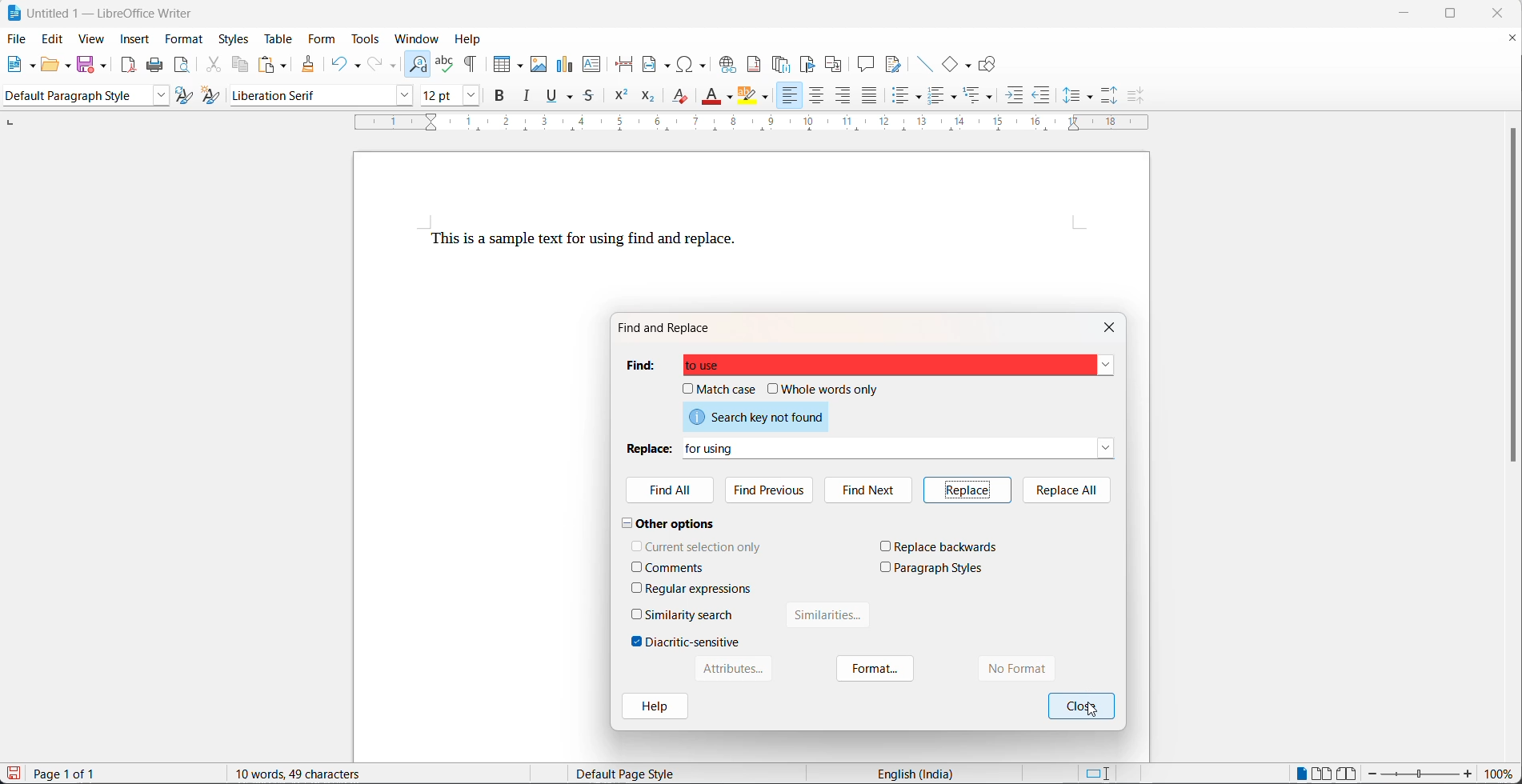  Describe the element at coordinates (551, 98) in the screenshot. I see `underline` at that location.